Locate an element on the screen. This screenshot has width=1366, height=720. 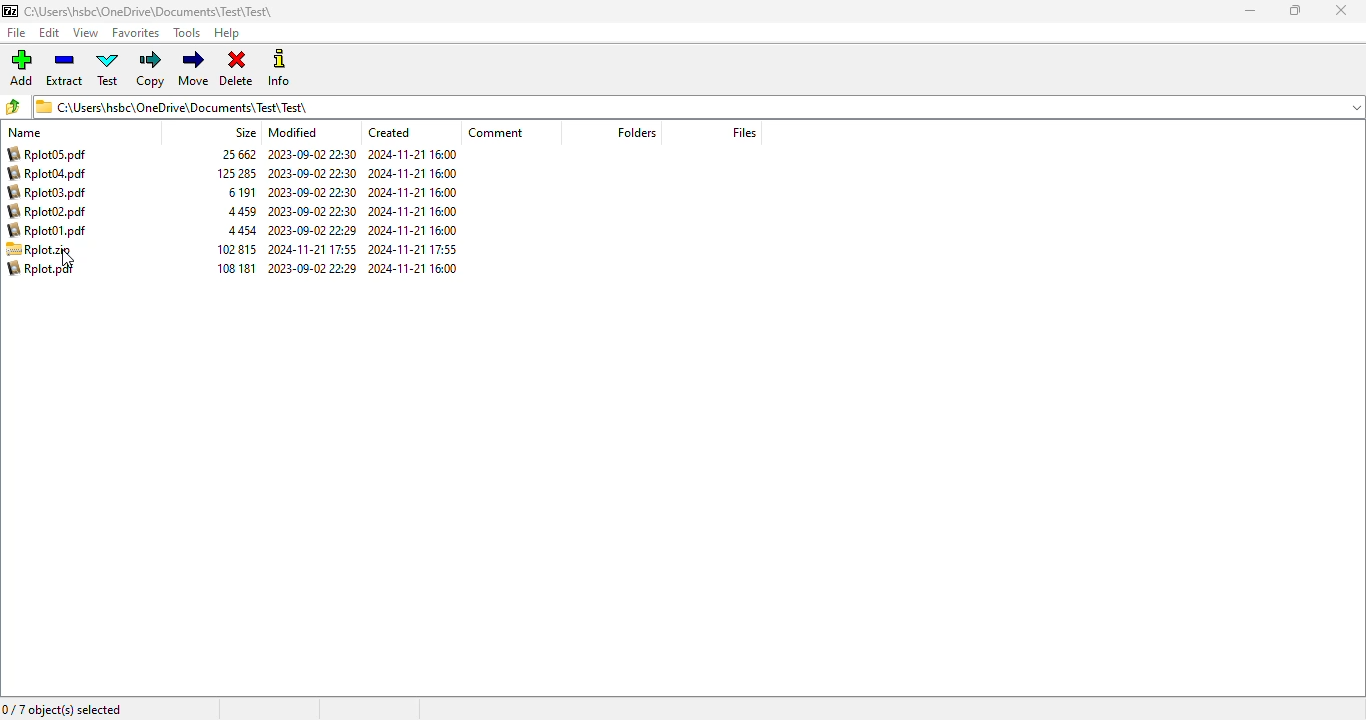
2024-11-21 16:00 is located at coordinates (414, 230).